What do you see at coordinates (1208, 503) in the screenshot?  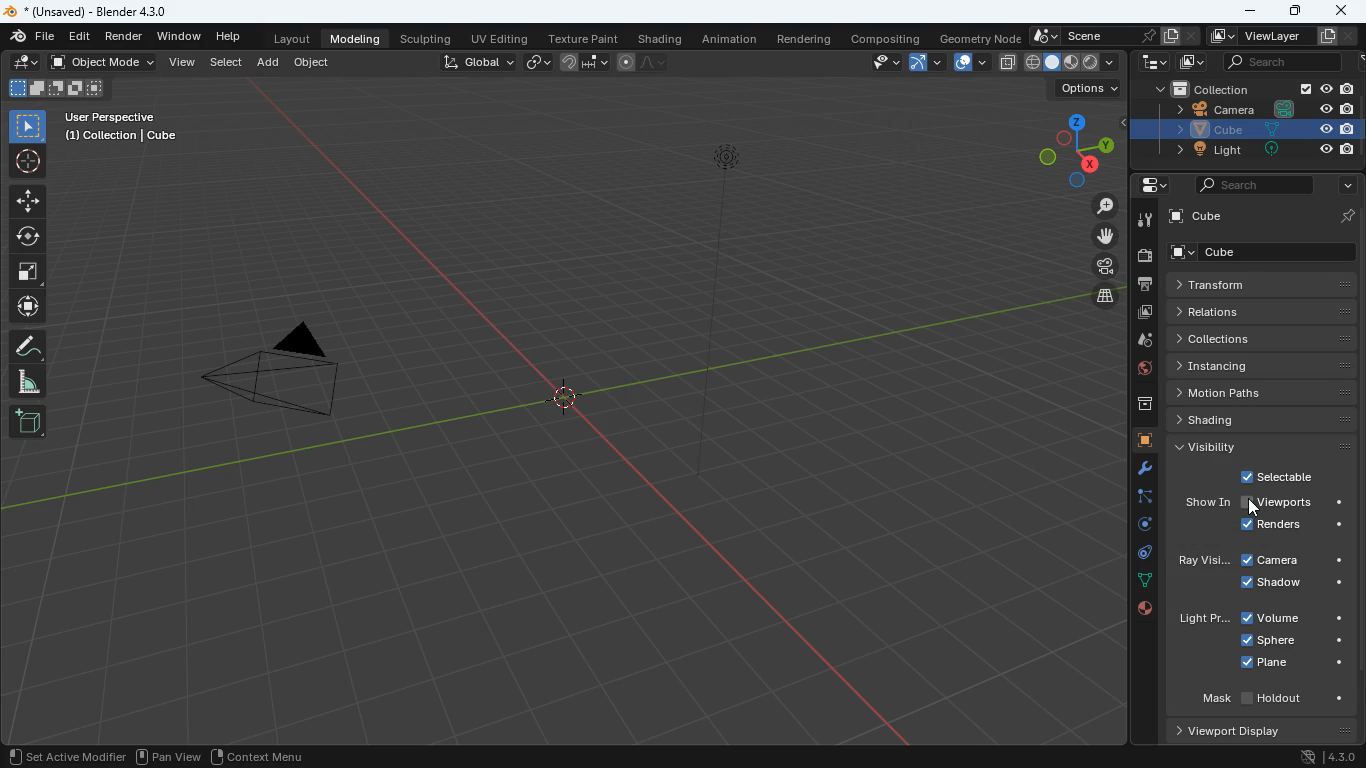 I see `show in` at bounding box center [1208, 503].